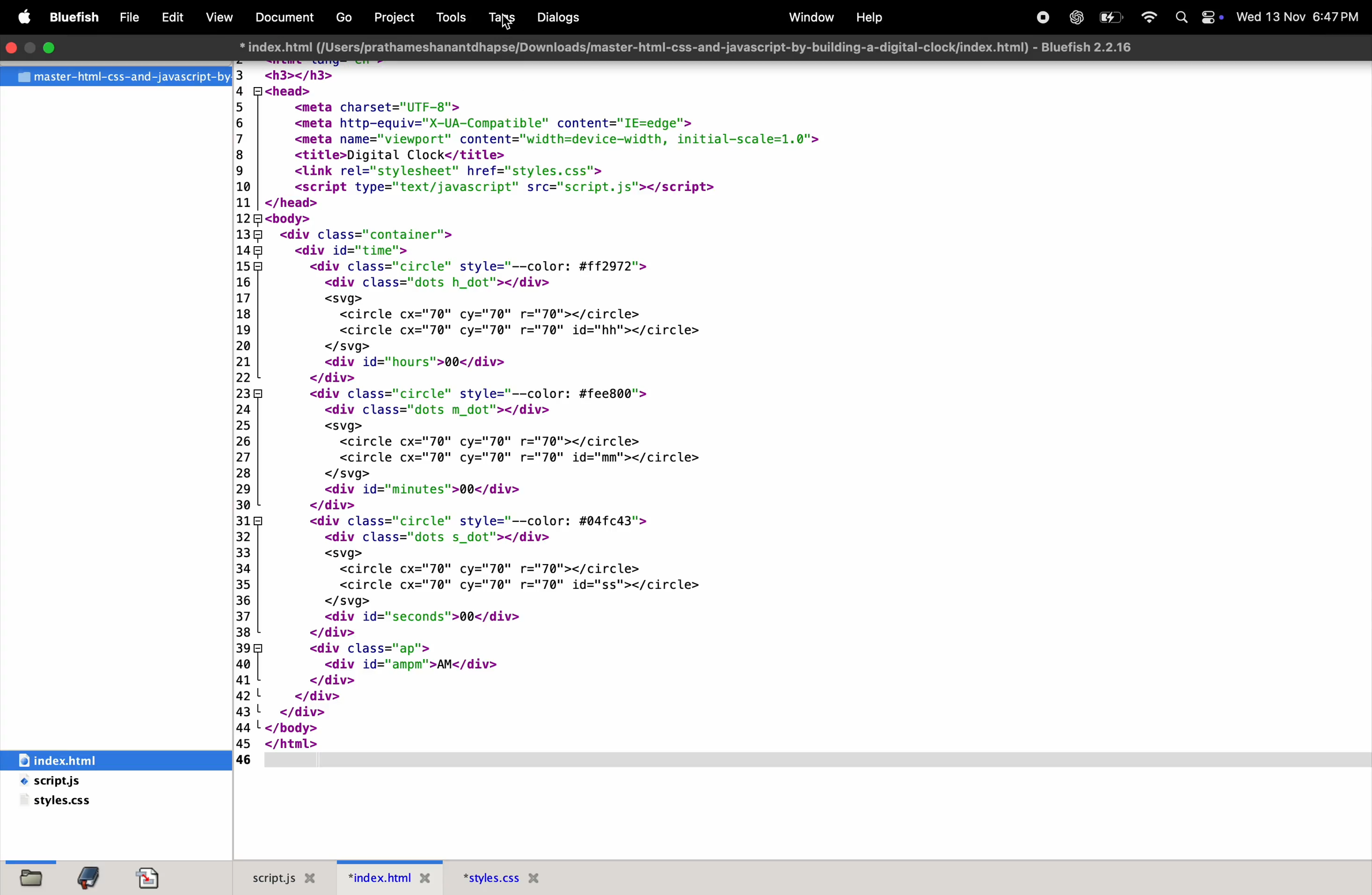 Image resolution: width=1372 pixels, height=895 pixels. Describe the element at coordinates (55, 48) in the screenshot. I see `maximize` at that location.